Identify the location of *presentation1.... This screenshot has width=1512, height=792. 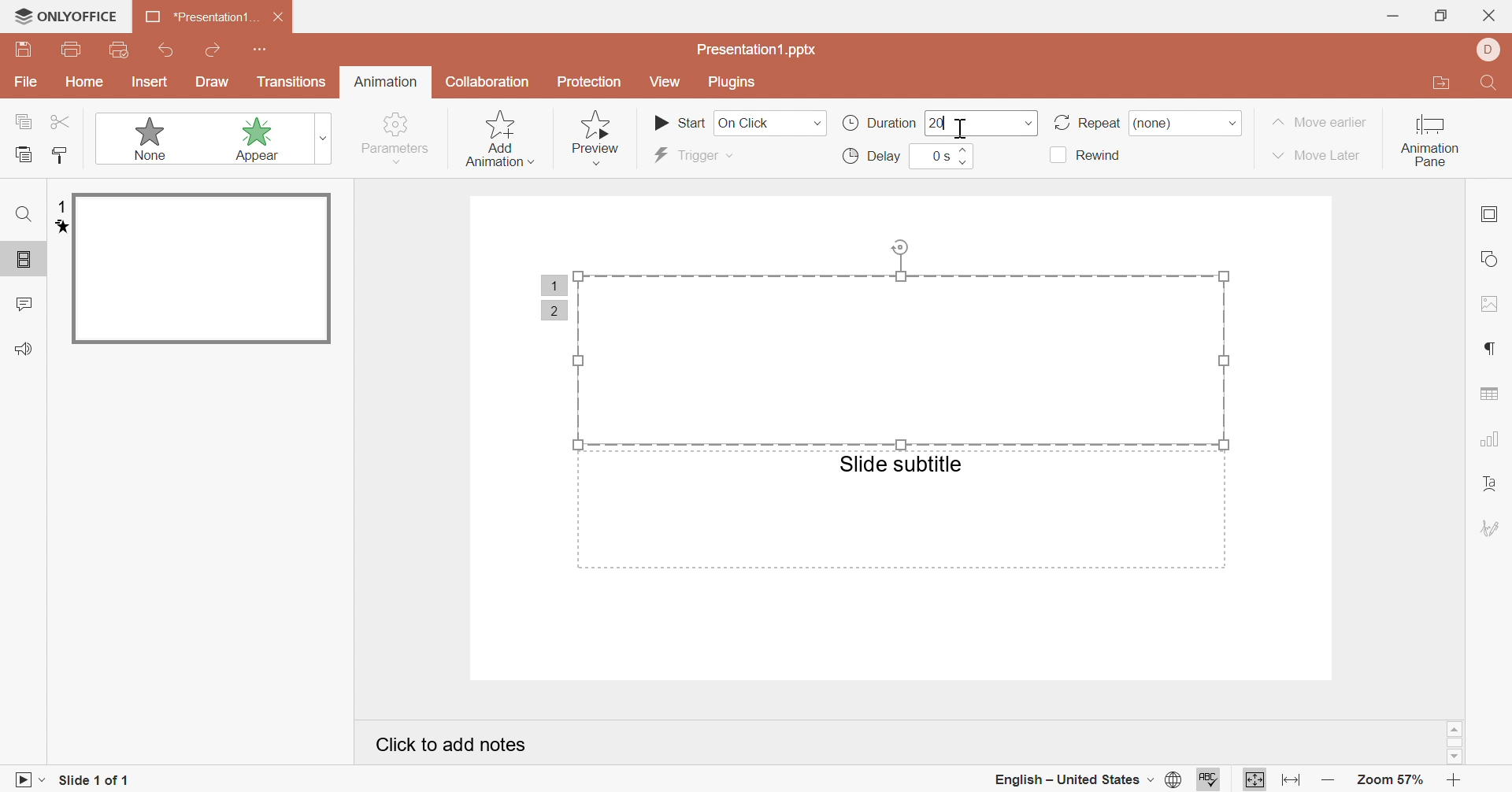
(199, 17).